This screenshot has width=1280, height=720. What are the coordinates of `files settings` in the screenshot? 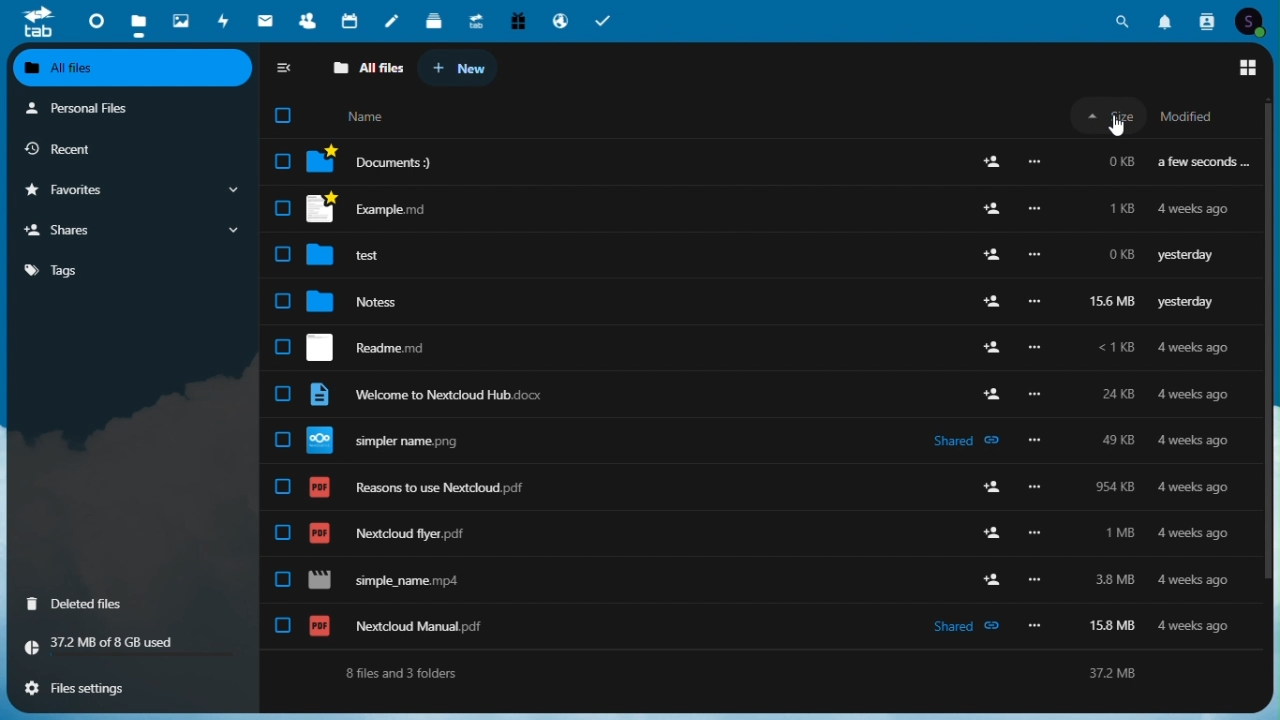 It's located at (135, 691).